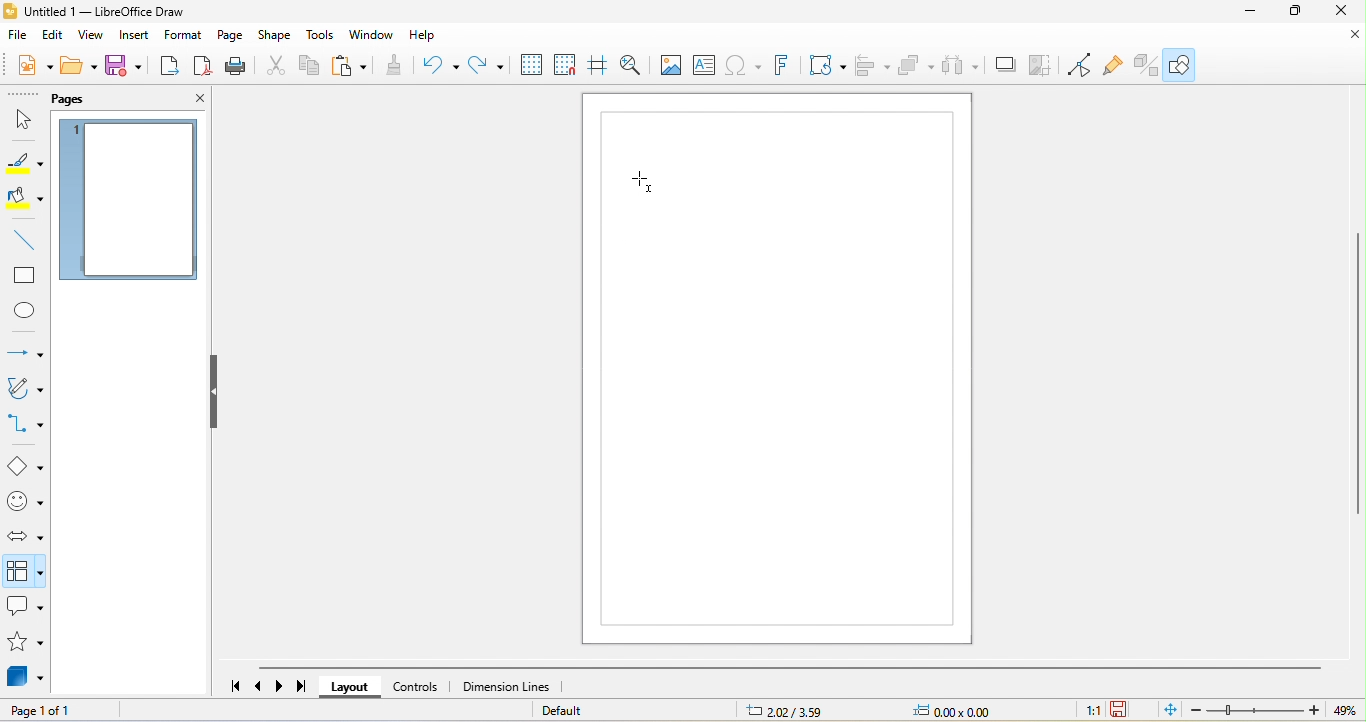 The width and height of the screenshot is (1366, 722). Describe the element at coordinates (187, 100) in the screenshot. I see `close` at that location.